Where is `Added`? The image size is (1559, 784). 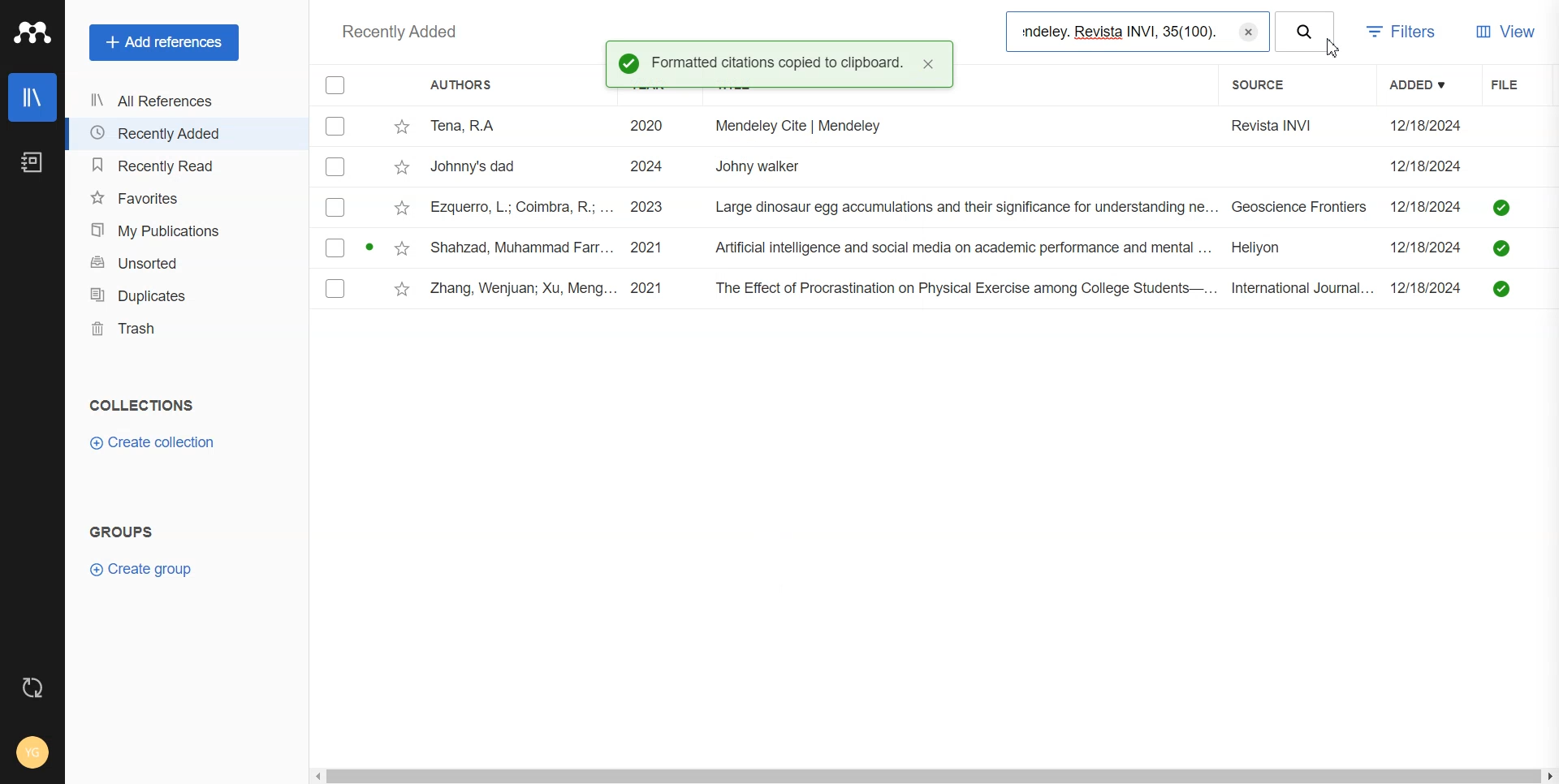 Added is located at coordinates (1427, 84).